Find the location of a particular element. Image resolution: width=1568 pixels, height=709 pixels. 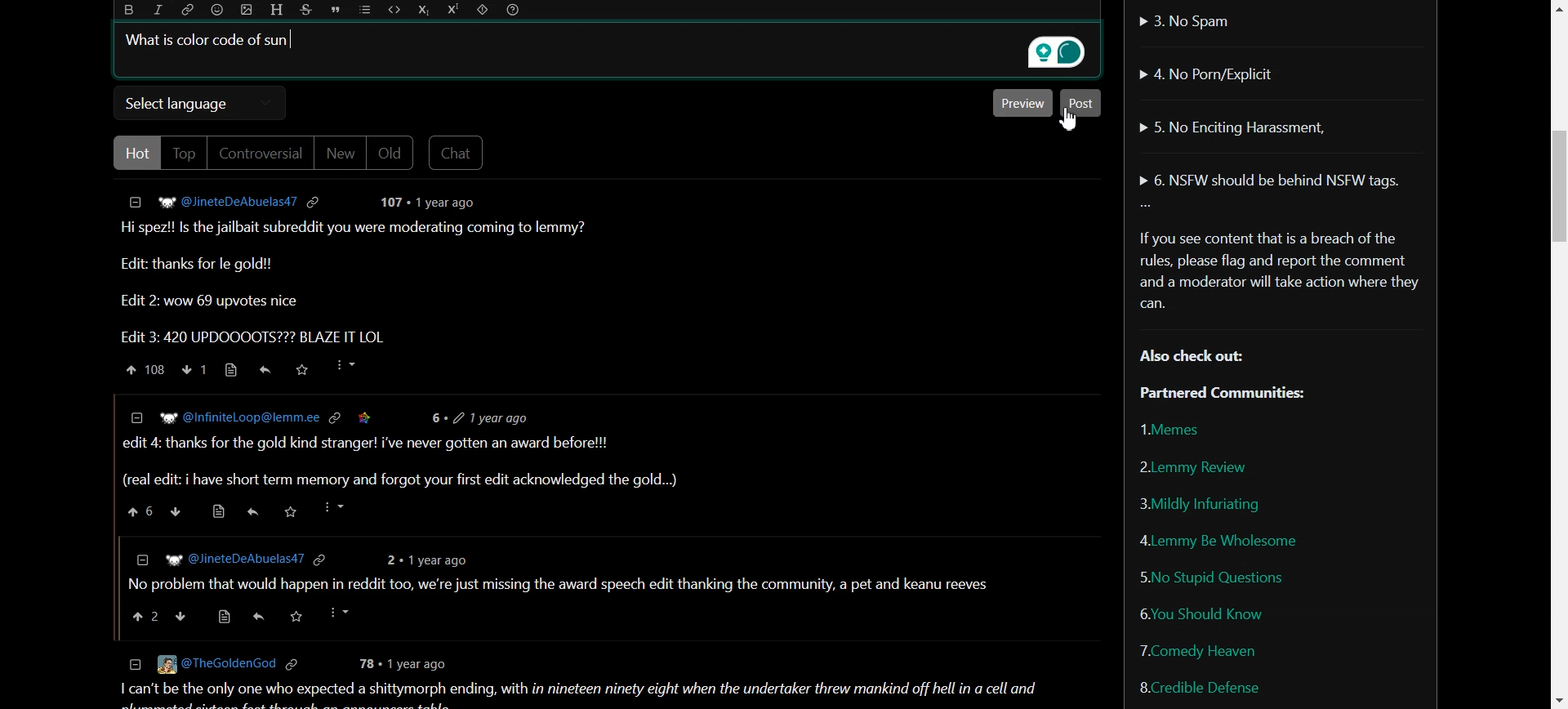

1 can't be the only one who expected a shittymorph ending, with in nineteen ninety eight when the undertaker threw mankind off hell in a cell and is located at coordinates (572, 689).